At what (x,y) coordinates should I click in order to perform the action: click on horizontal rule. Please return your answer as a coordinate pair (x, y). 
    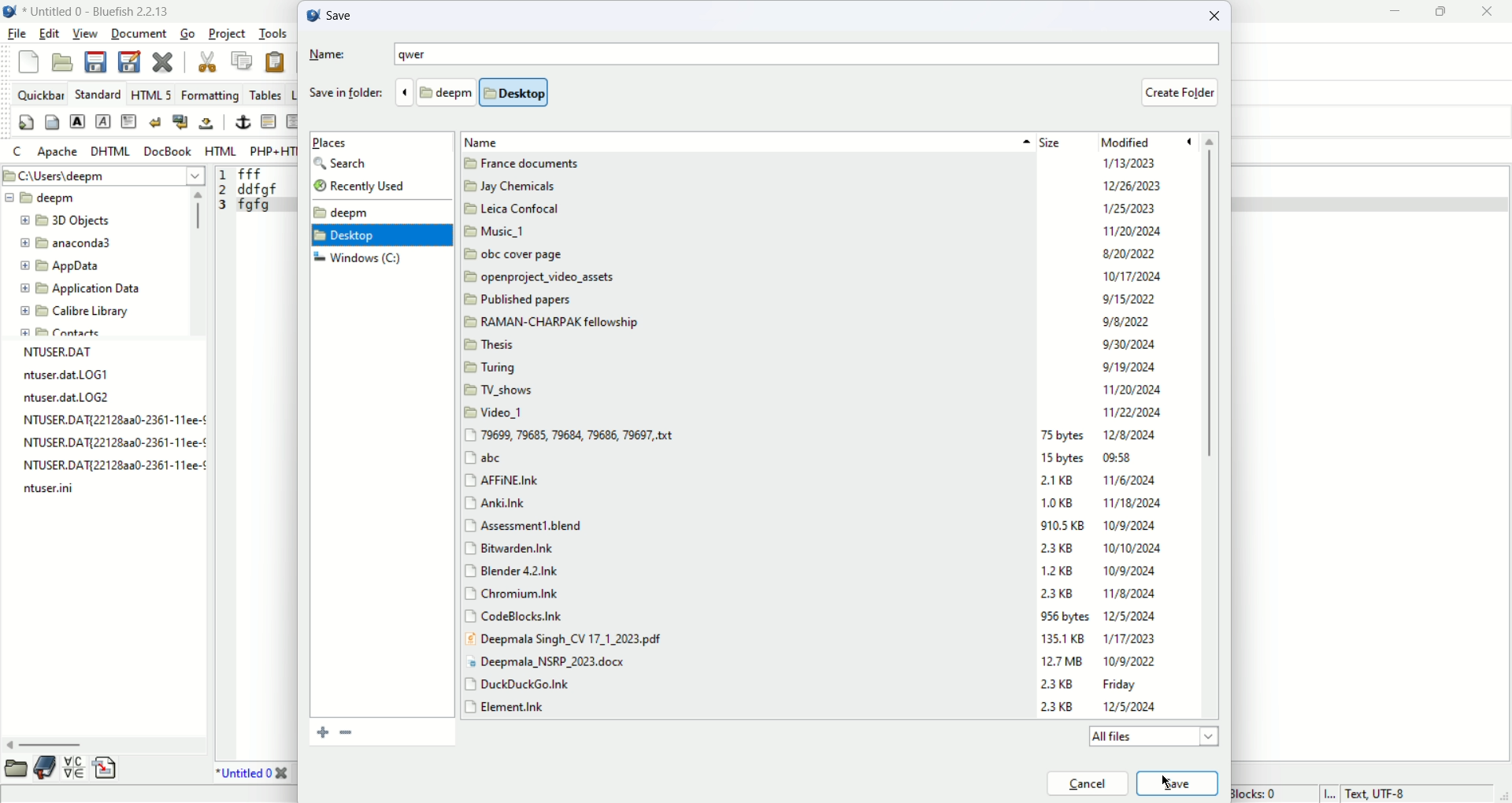
    Looking at the image, I should click on (269, 122).